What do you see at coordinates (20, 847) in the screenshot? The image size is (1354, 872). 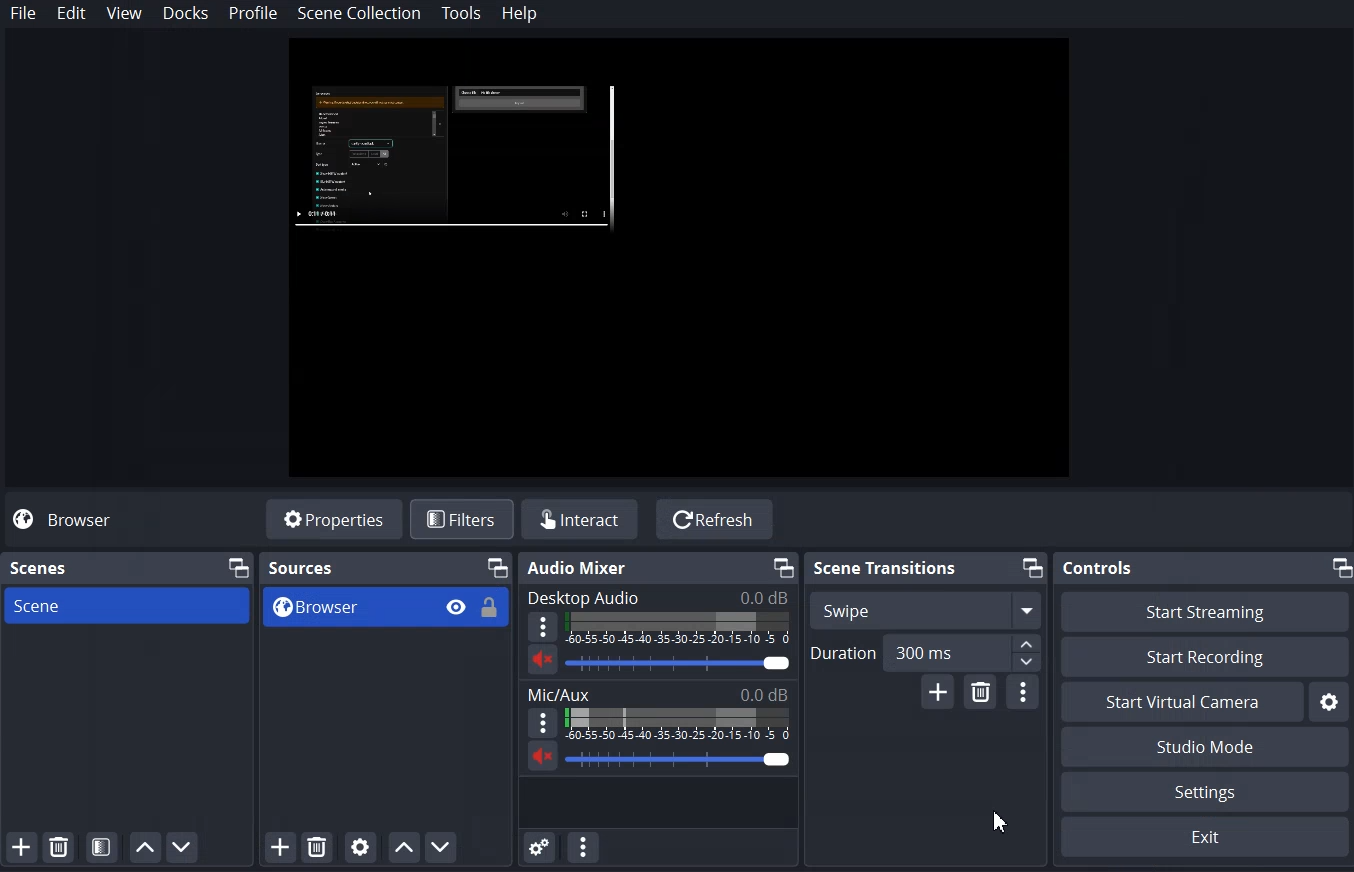 I see `Add Scene` at bounding box center [20, 847].